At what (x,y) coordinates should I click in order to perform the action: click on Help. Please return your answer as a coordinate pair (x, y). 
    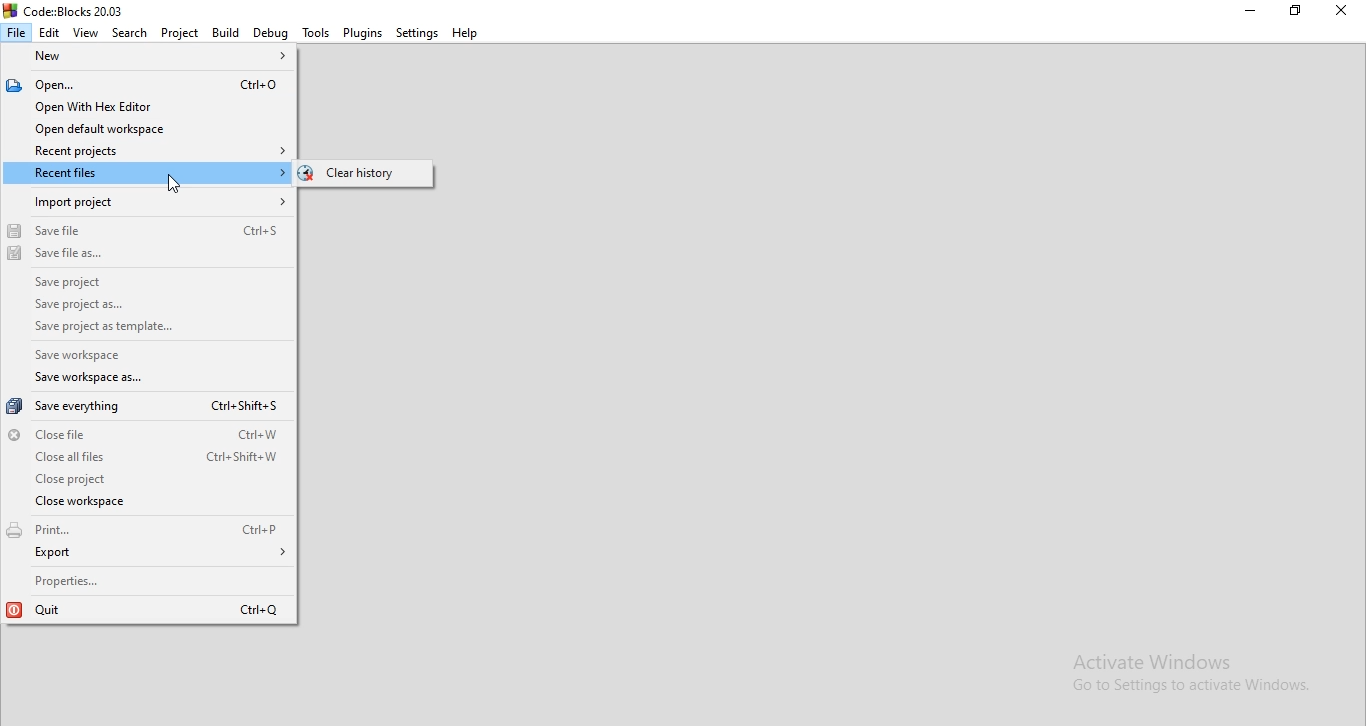
    Looking at the image, I should click on (465, 33).